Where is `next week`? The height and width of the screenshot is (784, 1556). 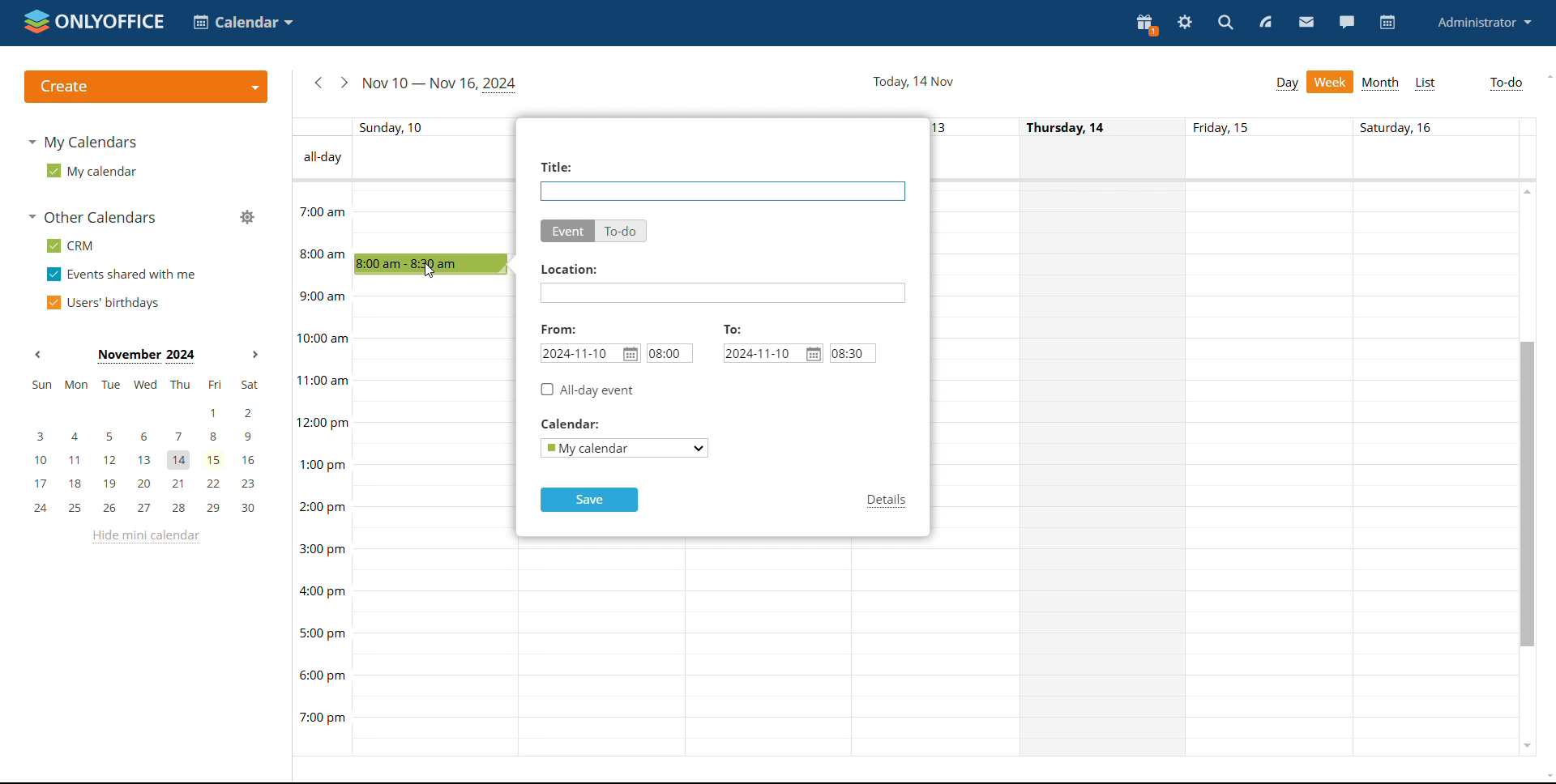 next week is located at coordinates (342, 83).